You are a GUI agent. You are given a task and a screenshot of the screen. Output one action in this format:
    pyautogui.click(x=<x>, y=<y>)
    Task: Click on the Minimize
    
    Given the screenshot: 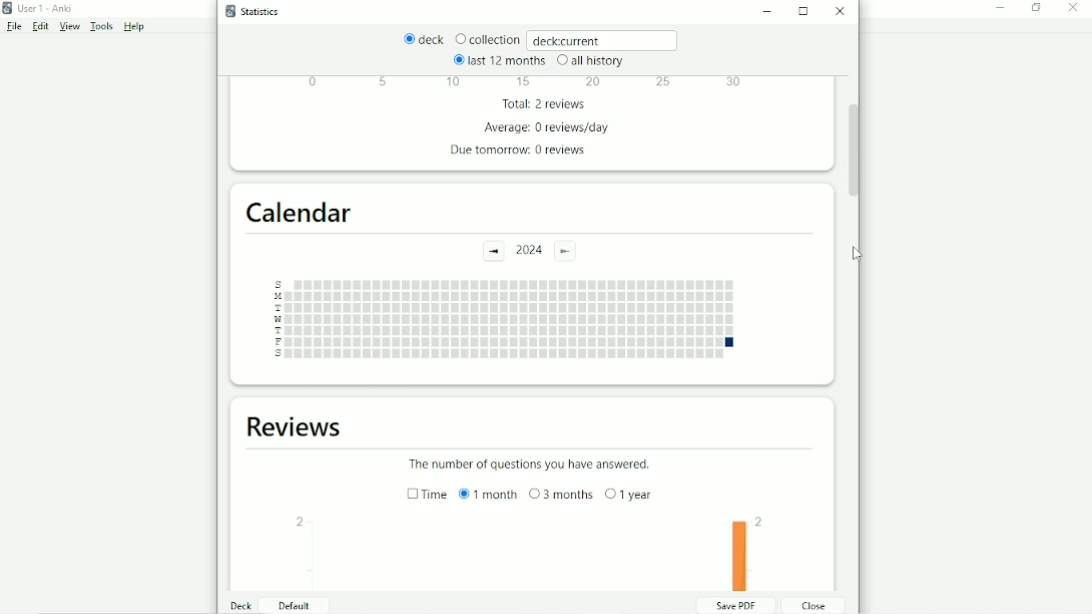 What is the action you would take?
    pyautogui.click(x=1001, y=8)
    